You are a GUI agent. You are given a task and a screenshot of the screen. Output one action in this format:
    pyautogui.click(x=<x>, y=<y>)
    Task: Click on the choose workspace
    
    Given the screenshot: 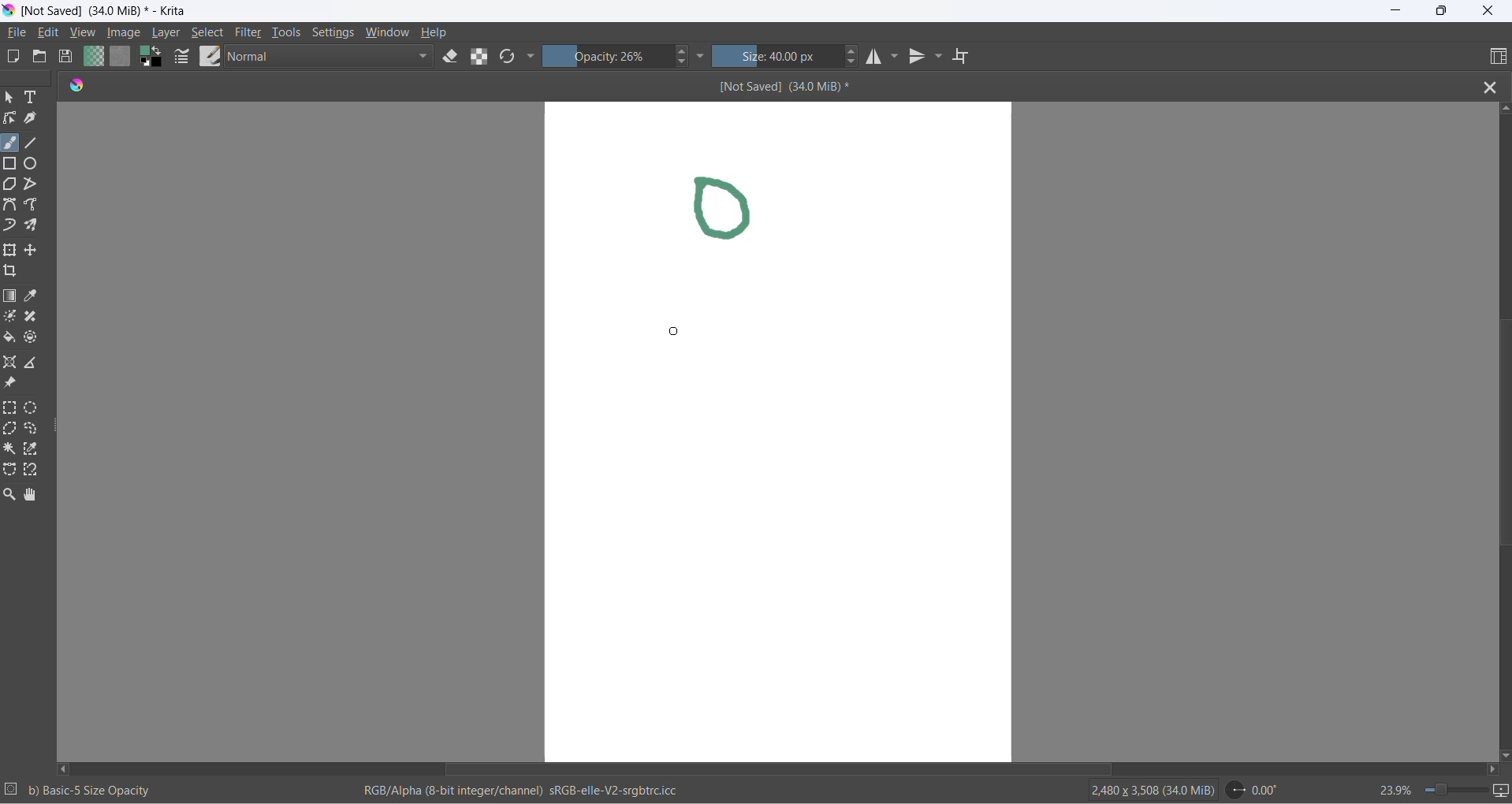 What is the action you would take?
    pyautogui.click(x=1490, y=56)
    